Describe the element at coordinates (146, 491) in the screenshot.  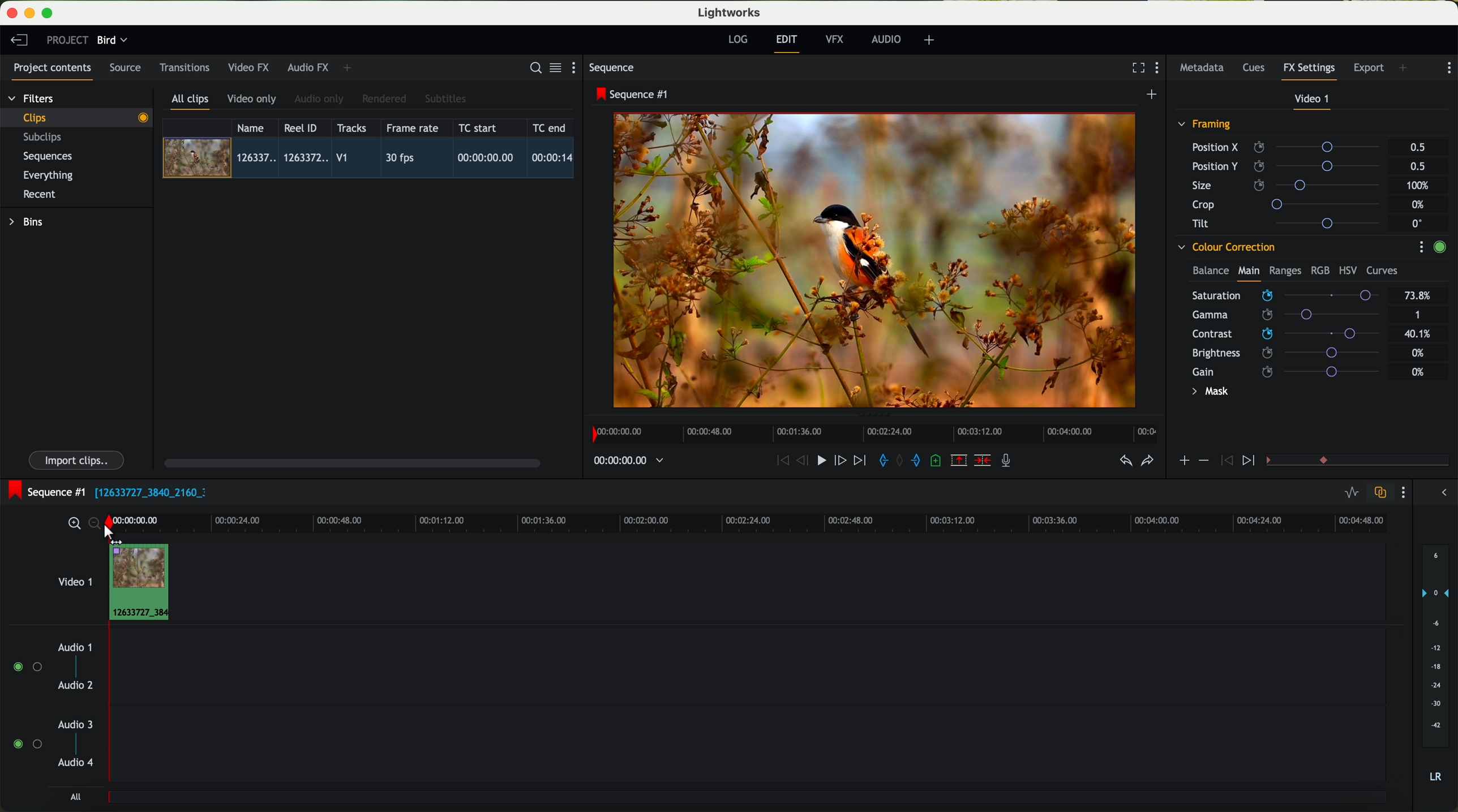
I see `black` at that location.